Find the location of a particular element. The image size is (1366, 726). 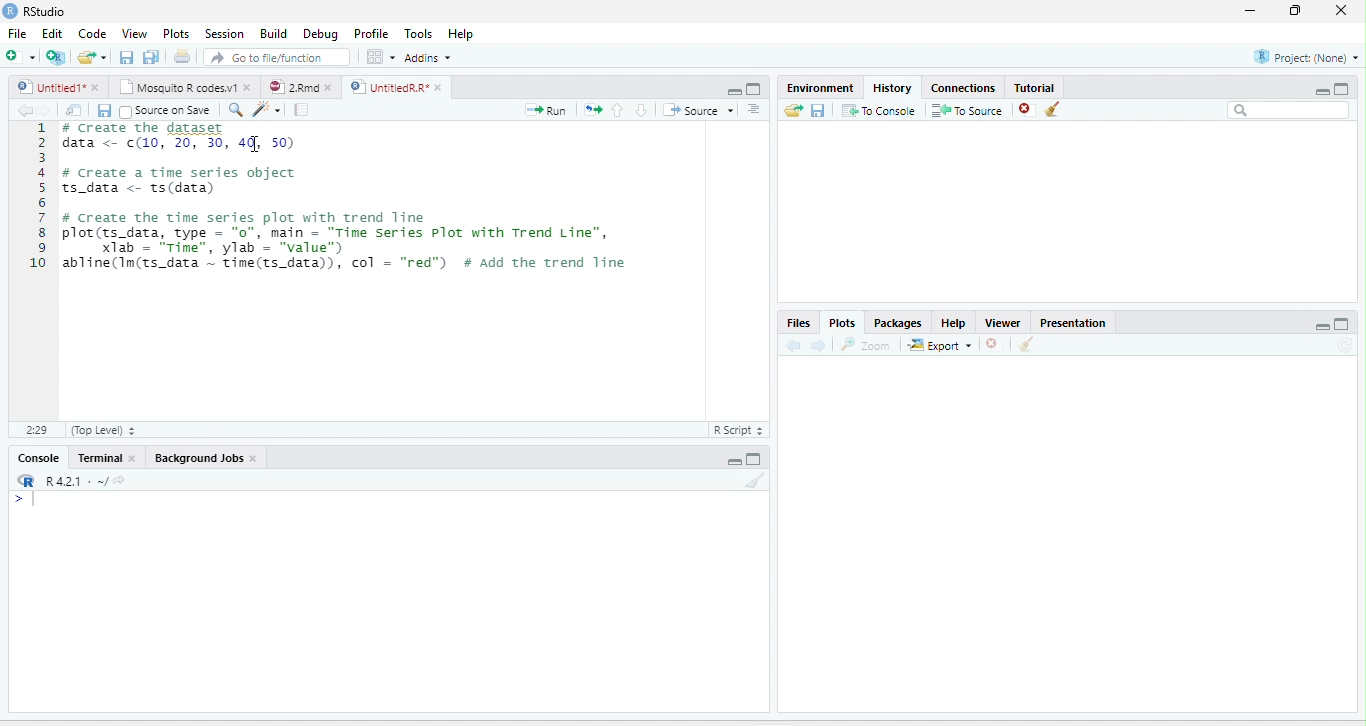

Remove the selected history entries is located at coordinates (1026, 109).